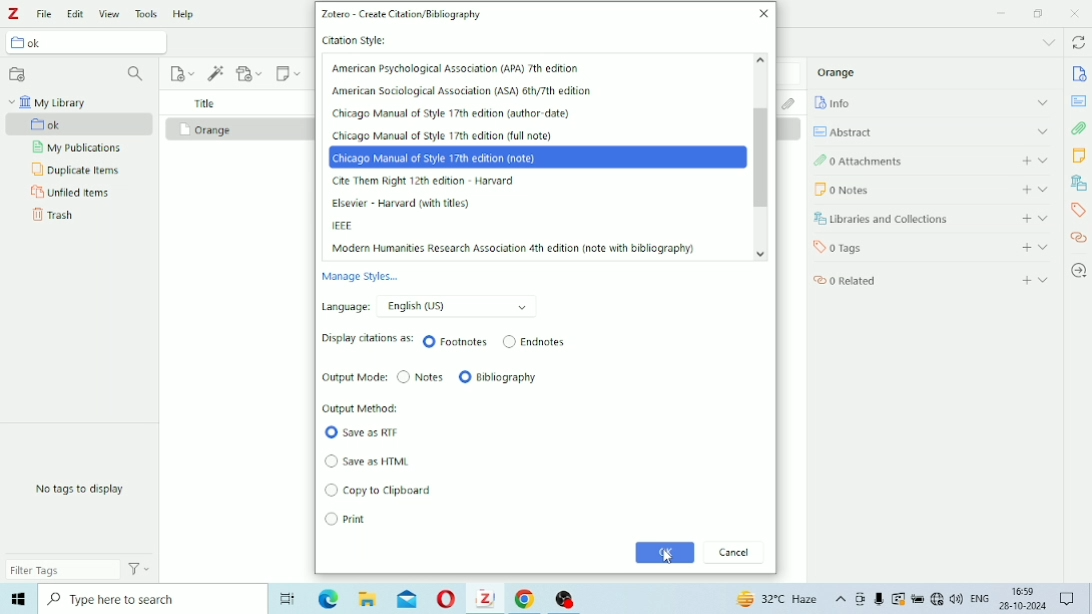 Image resolution: width=1092 pixels, height=614 pixels. I want to click on Add Attachment, so click(251, 72).